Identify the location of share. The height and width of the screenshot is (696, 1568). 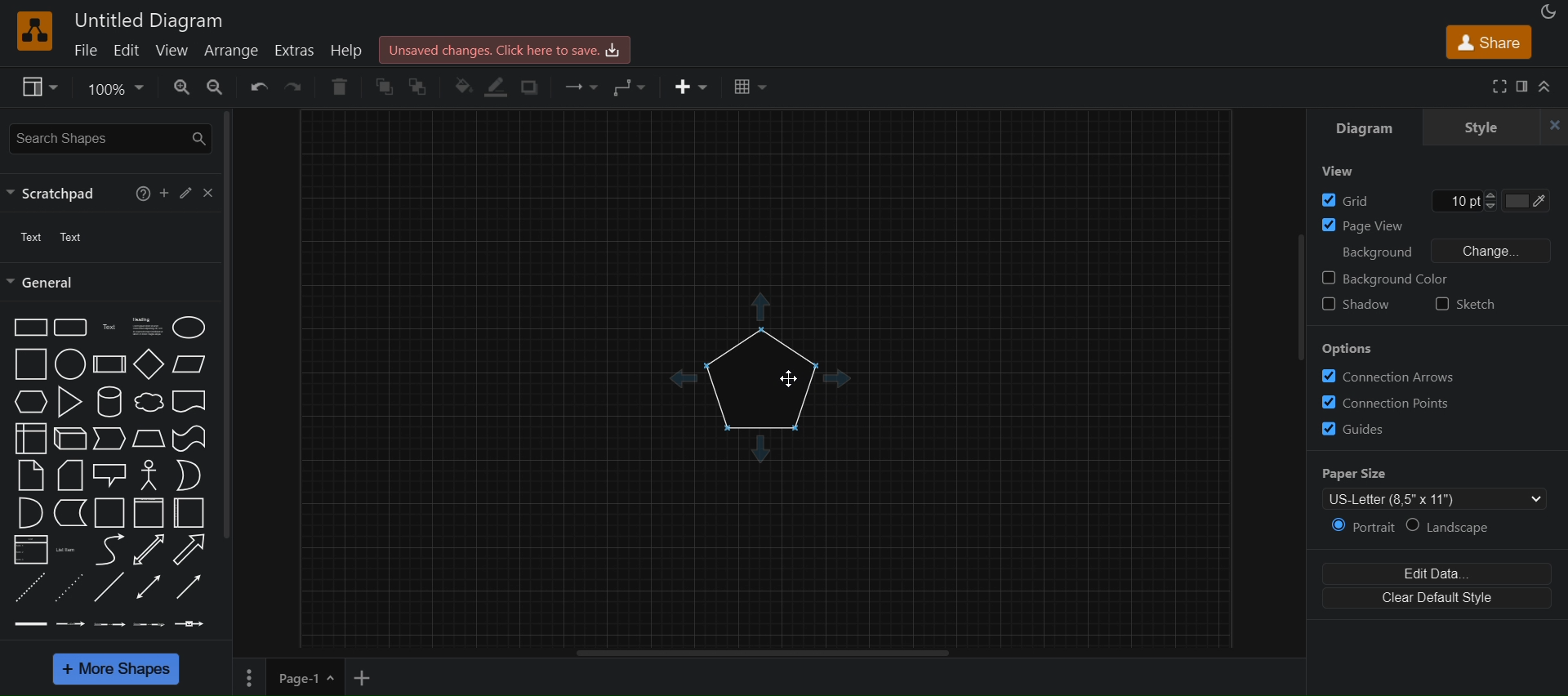
(1489, 42).